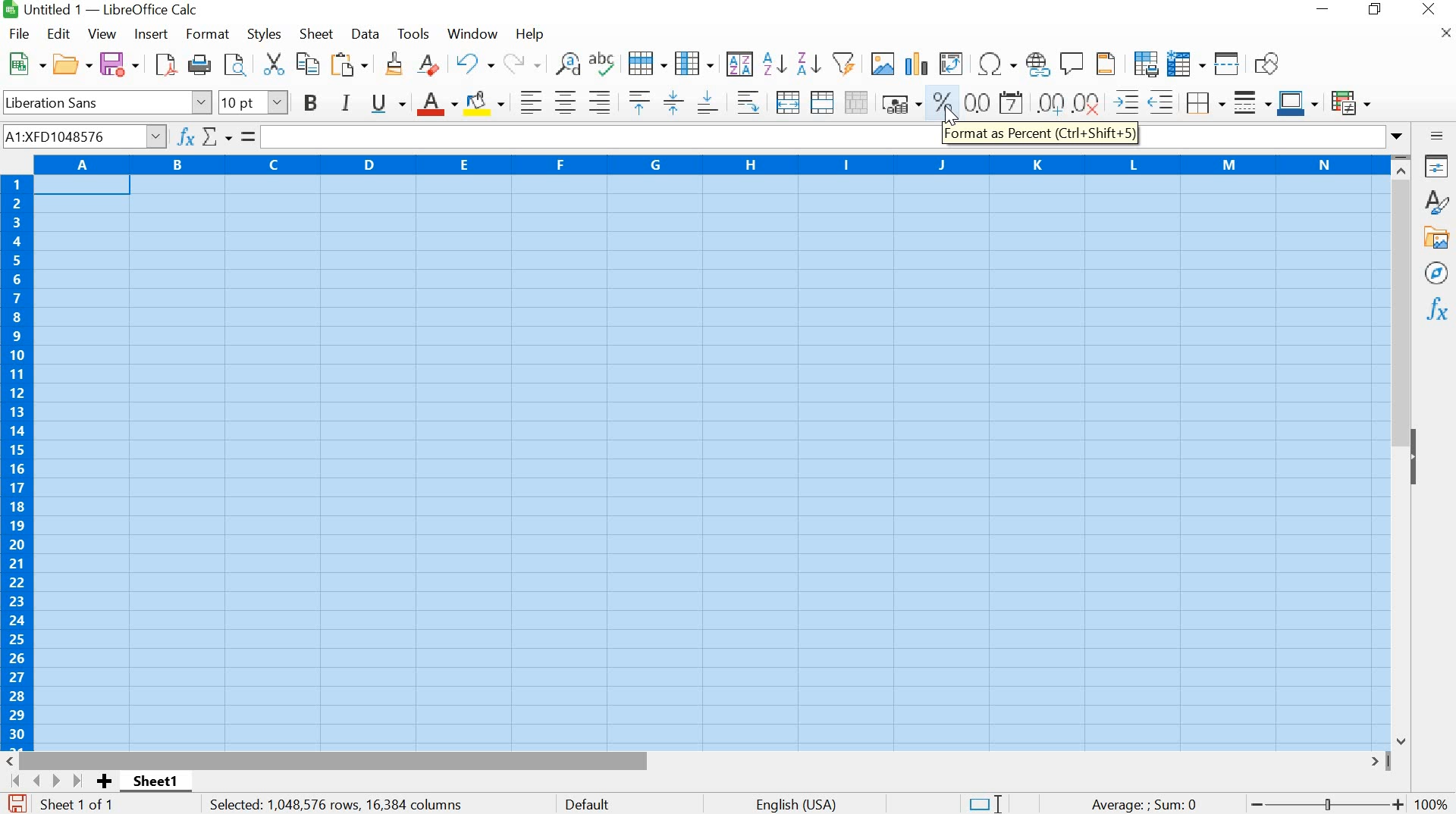 Image resolution: width=1456 pixels, height=814 pixels. What do you see at coordinates (989, 800) in the screenshot?
I see `Standard Selection` at bounding box center [989, 800].